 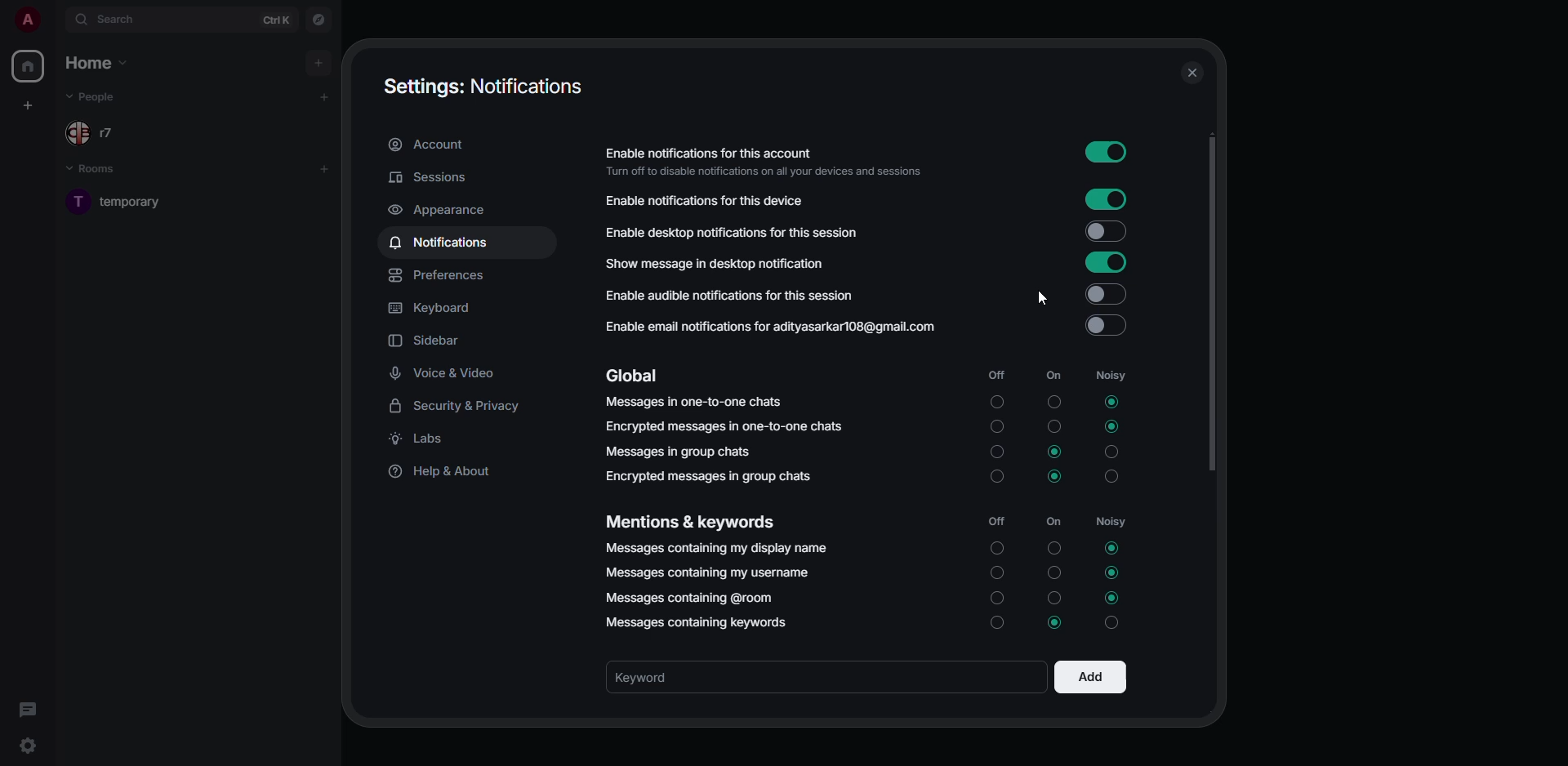 What do you see at coordinates (1055, 475) in the screenshot?
I see `selected` at bounding box center [1055, 475].